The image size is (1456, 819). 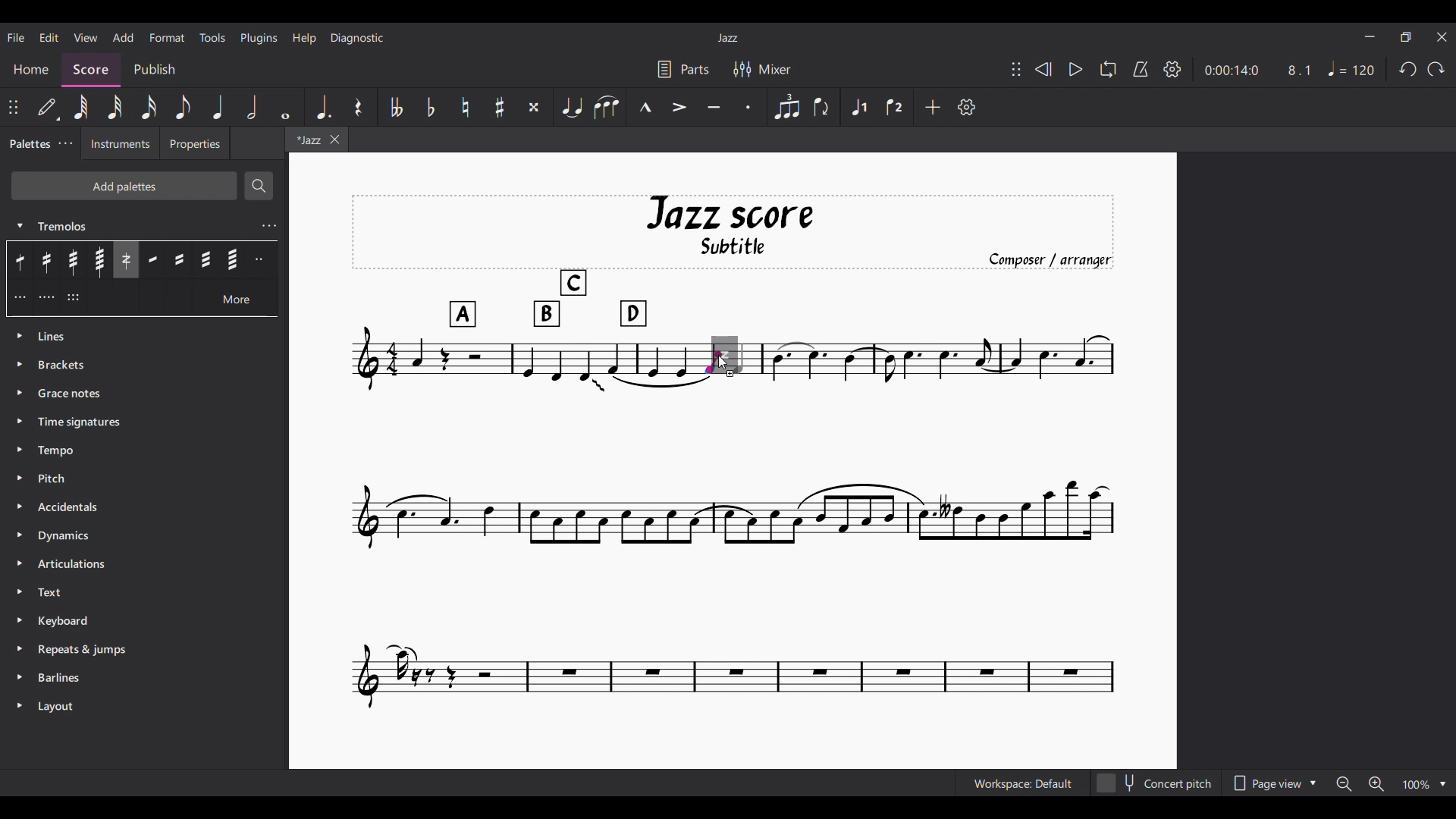 What do you see at coordinates (1376, 783) in the screenshot?
I see `Zoom in` at bounding box center [1376, 783].